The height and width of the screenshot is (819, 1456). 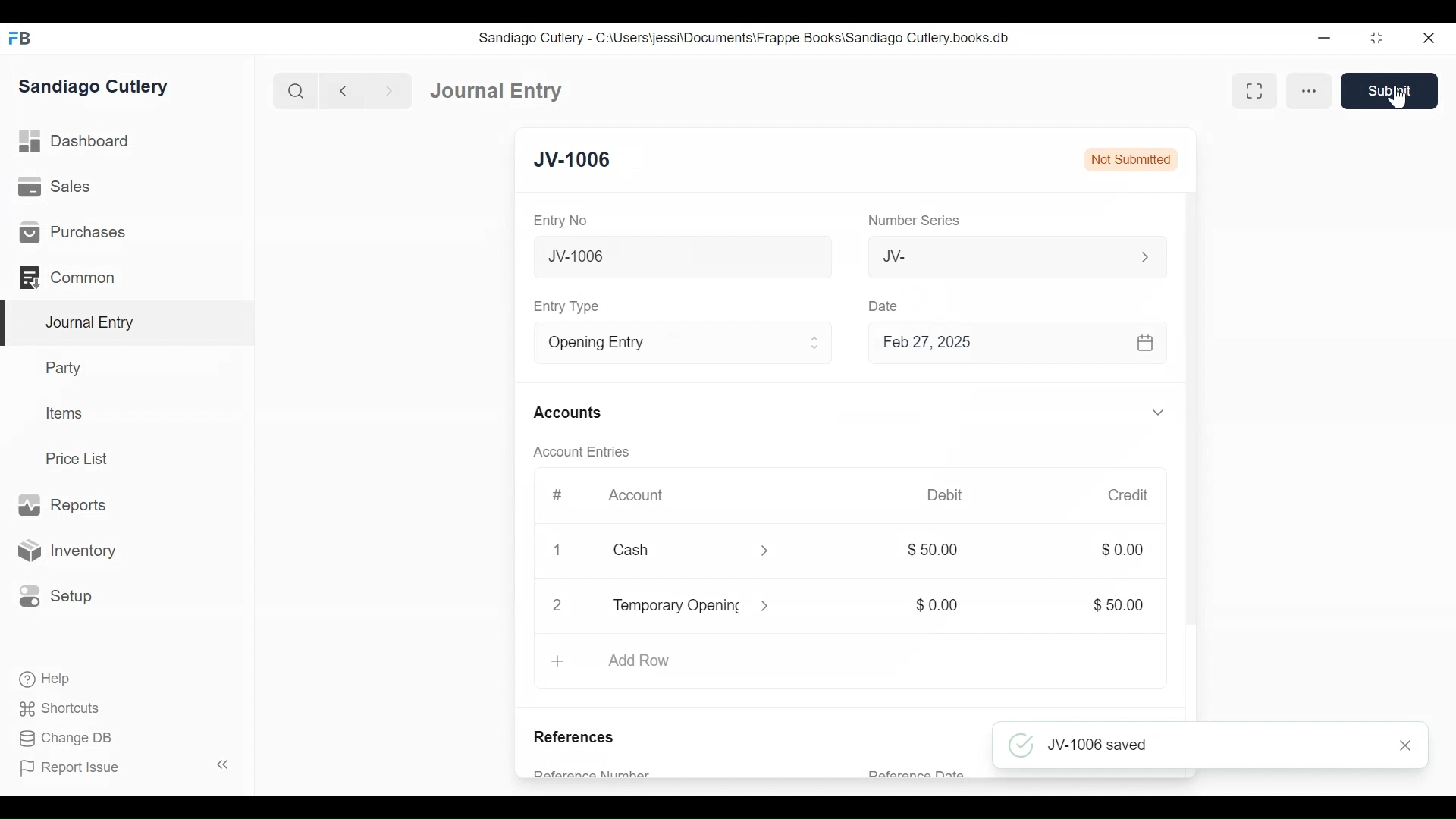 I want to click on + Add Row, so click(x=617, y=661).